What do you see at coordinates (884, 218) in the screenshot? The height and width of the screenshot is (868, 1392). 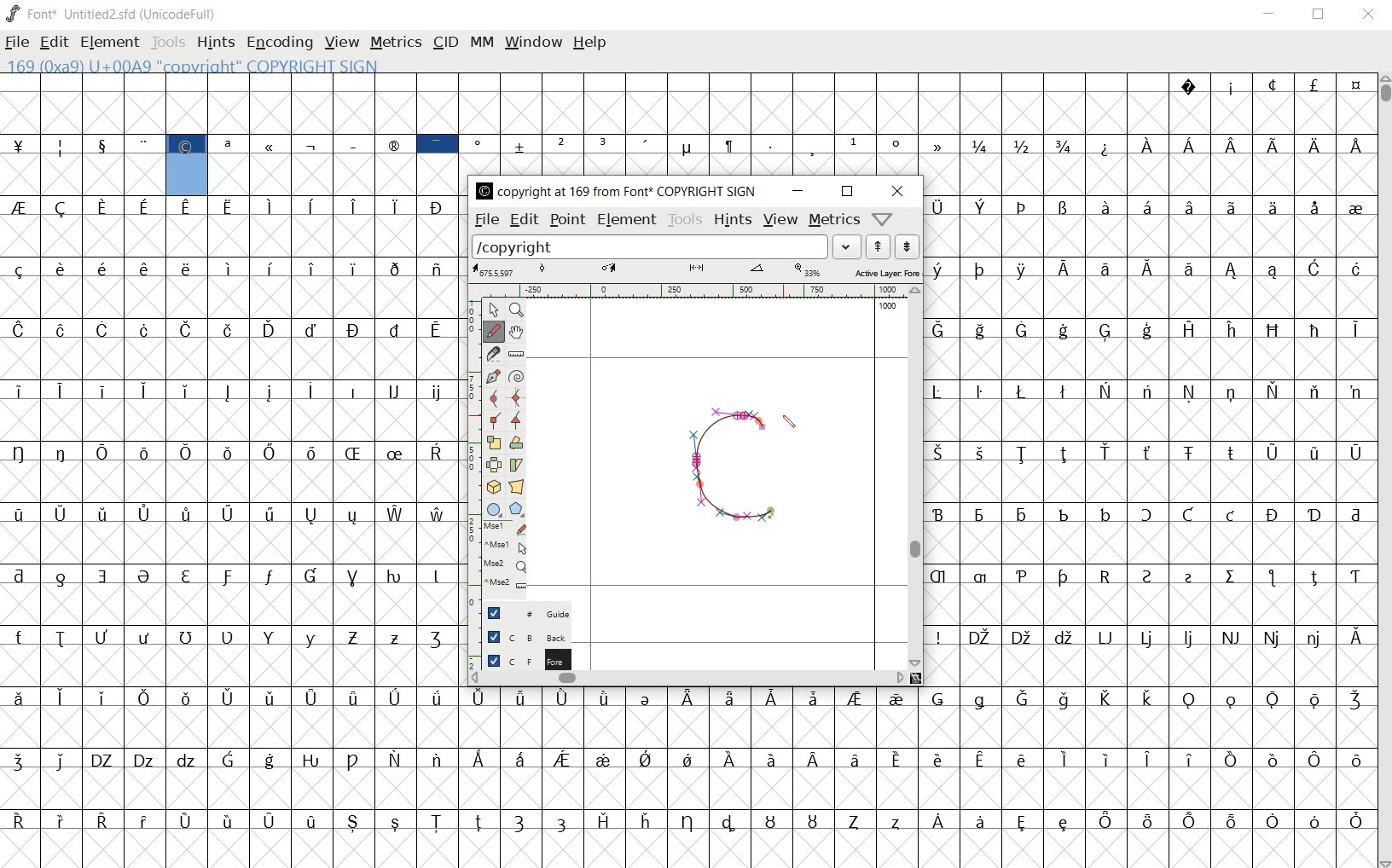 I see `Help/Window` at bounding box center [884, 218].